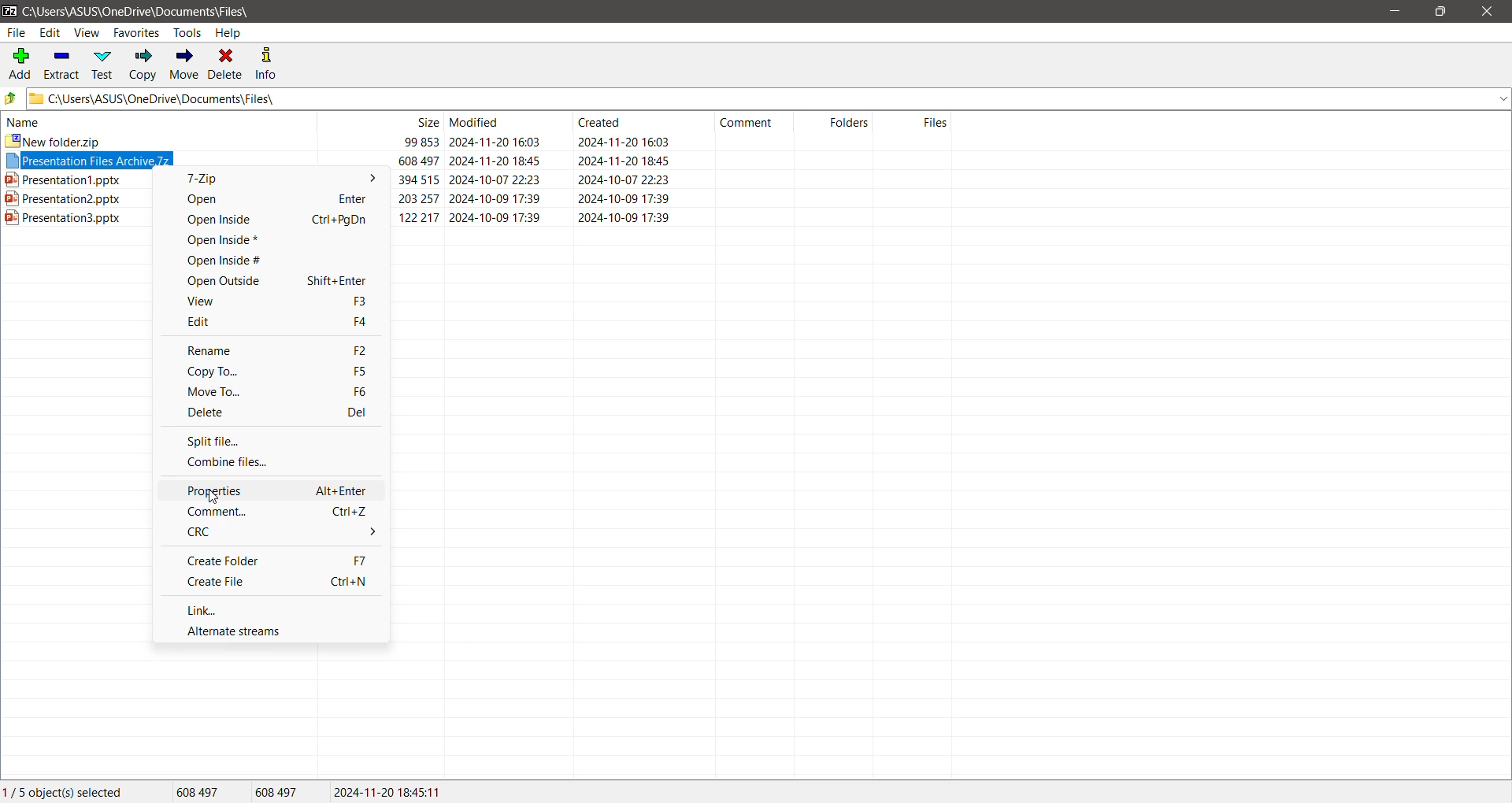 This screenshot has height=803, width=1512. I want to click on Extract, so click(61, 64).